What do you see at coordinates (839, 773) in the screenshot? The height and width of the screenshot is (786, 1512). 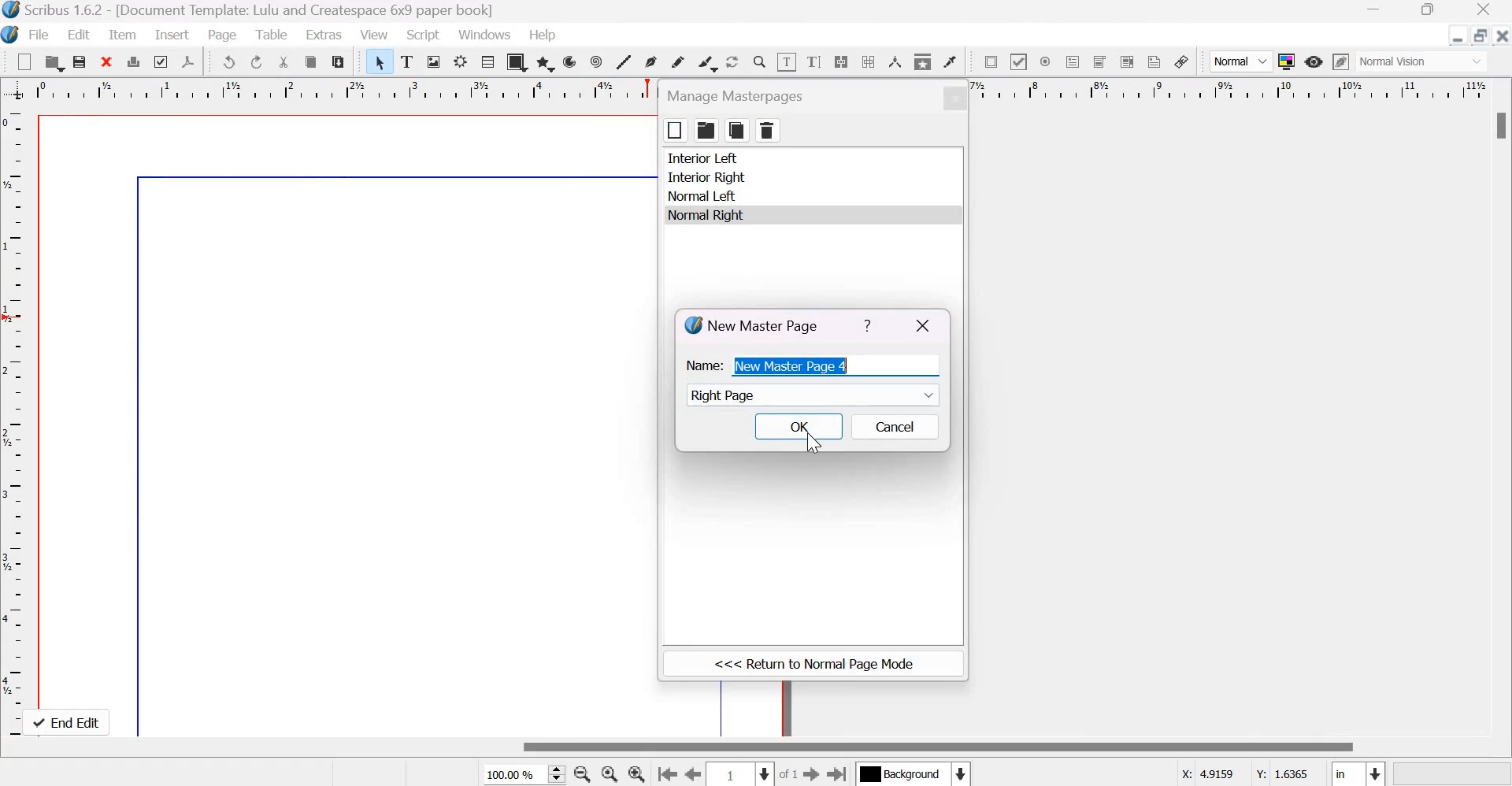 I see `Go the last page` at bounding box center [839, 773].